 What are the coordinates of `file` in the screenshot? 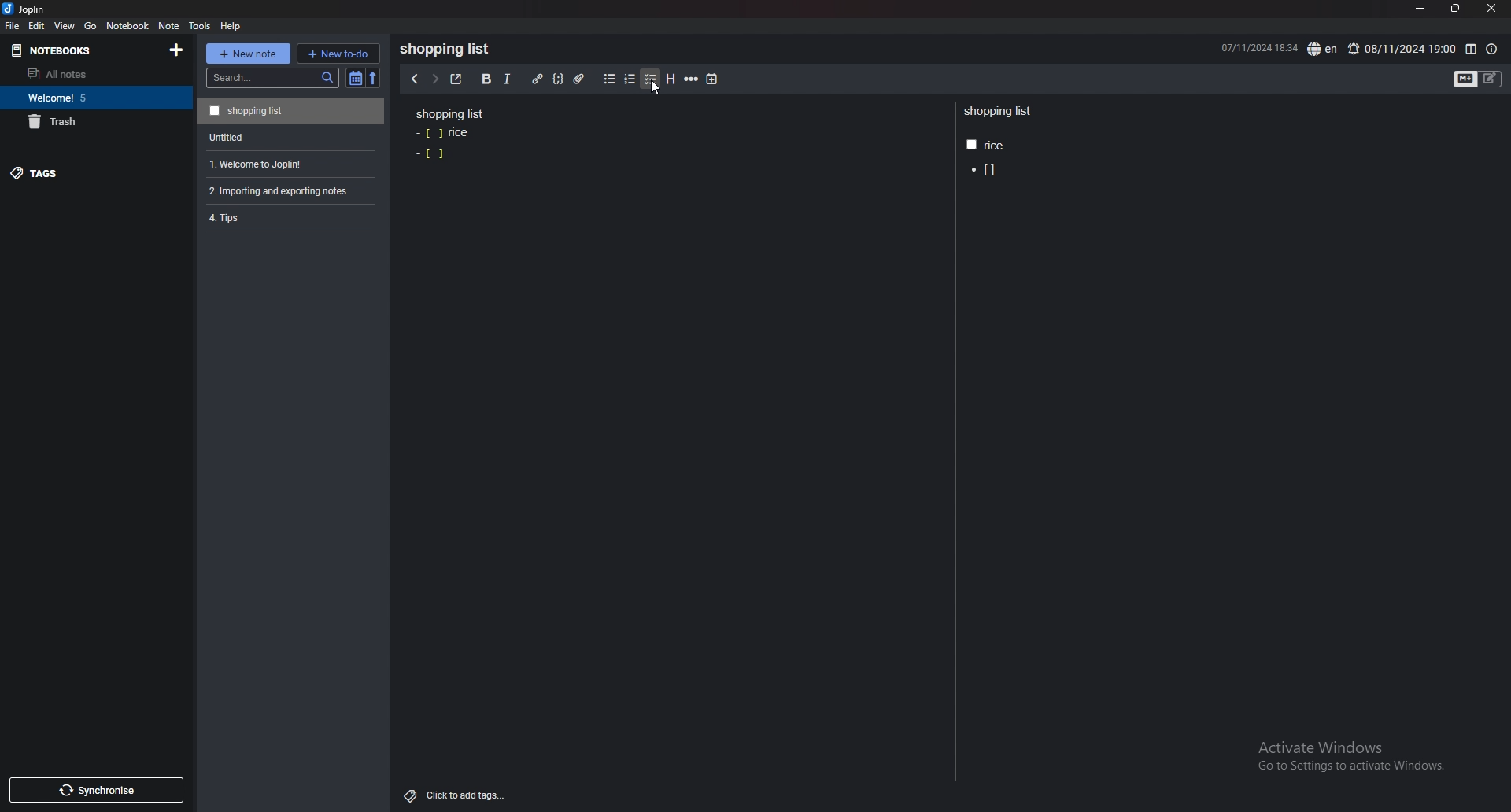 It's located at (13, 26).